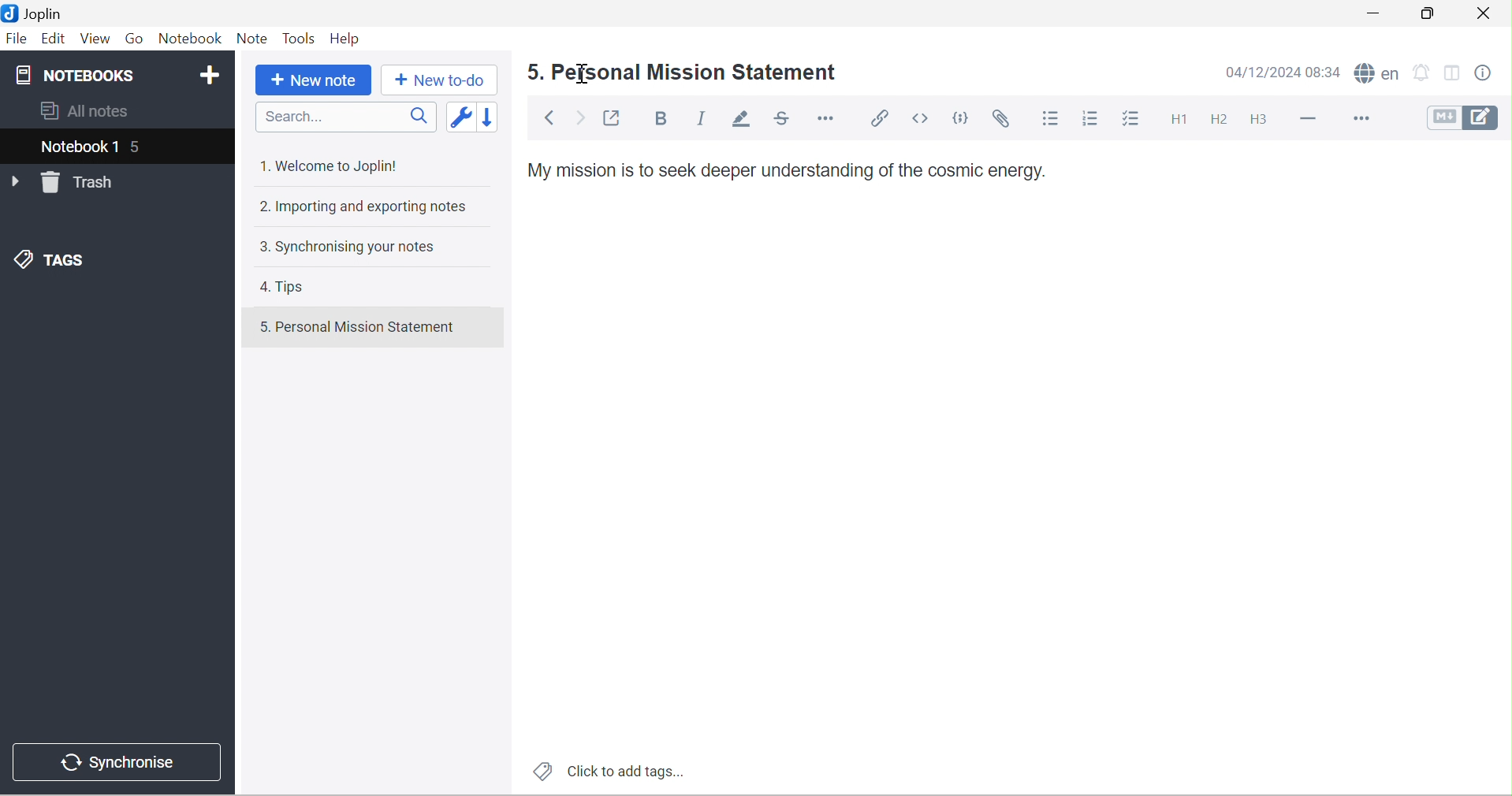 Image resolution: width=1512 pixels, height=796 pixels. Describe the element at coordinates (1185, 118) in the screenshot. I see `Heading 1` at that location.